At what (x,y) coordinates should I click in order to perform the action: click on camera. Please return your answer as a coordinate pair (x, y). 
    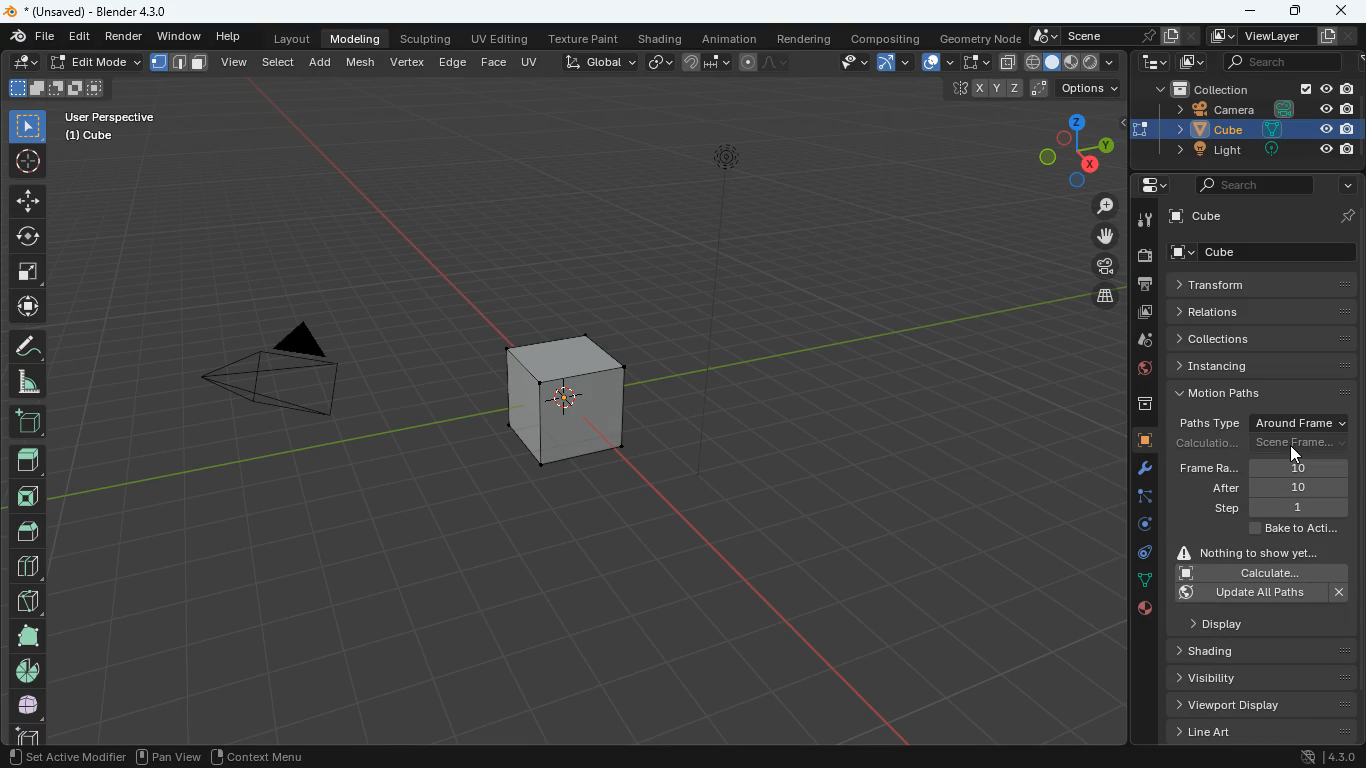
    Looking at the image, I should click on (1143, 256).